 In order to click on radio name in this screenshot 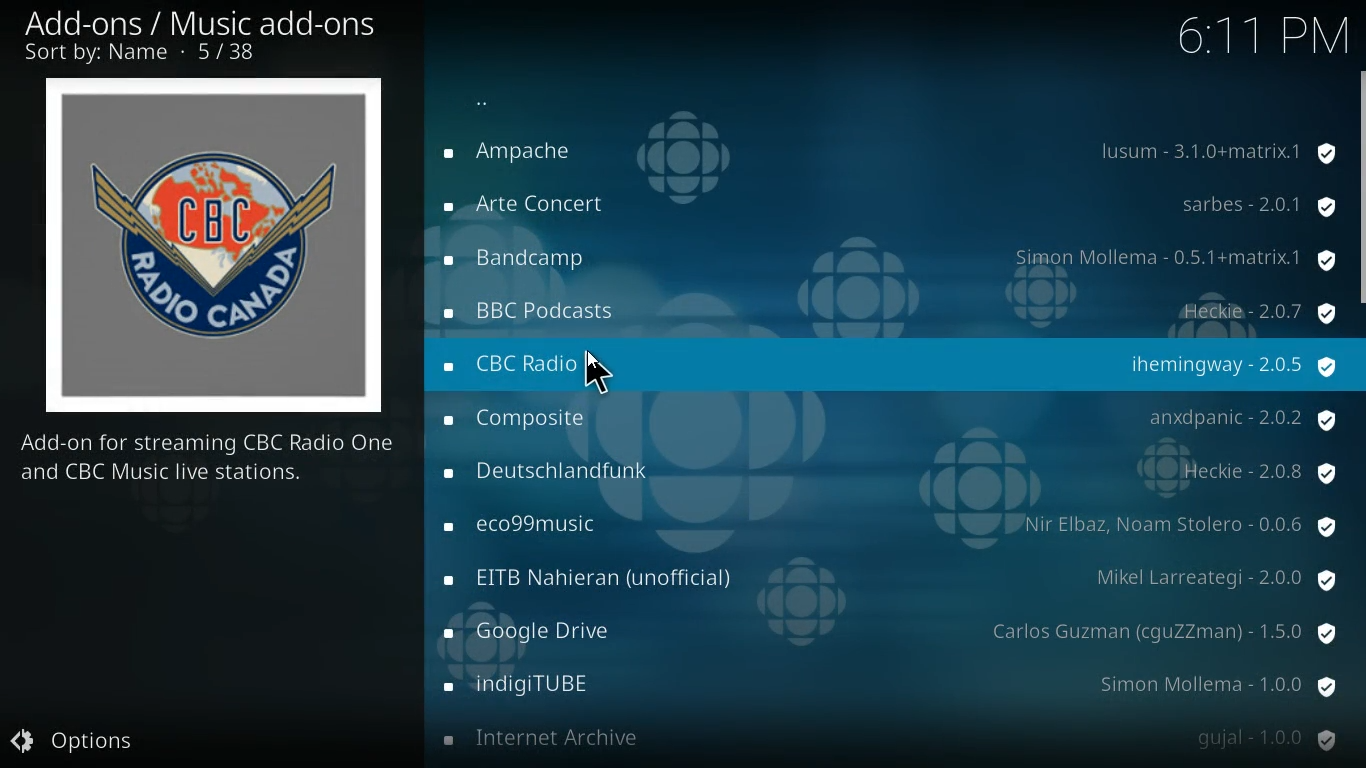, I will do `click(525, 257)`.